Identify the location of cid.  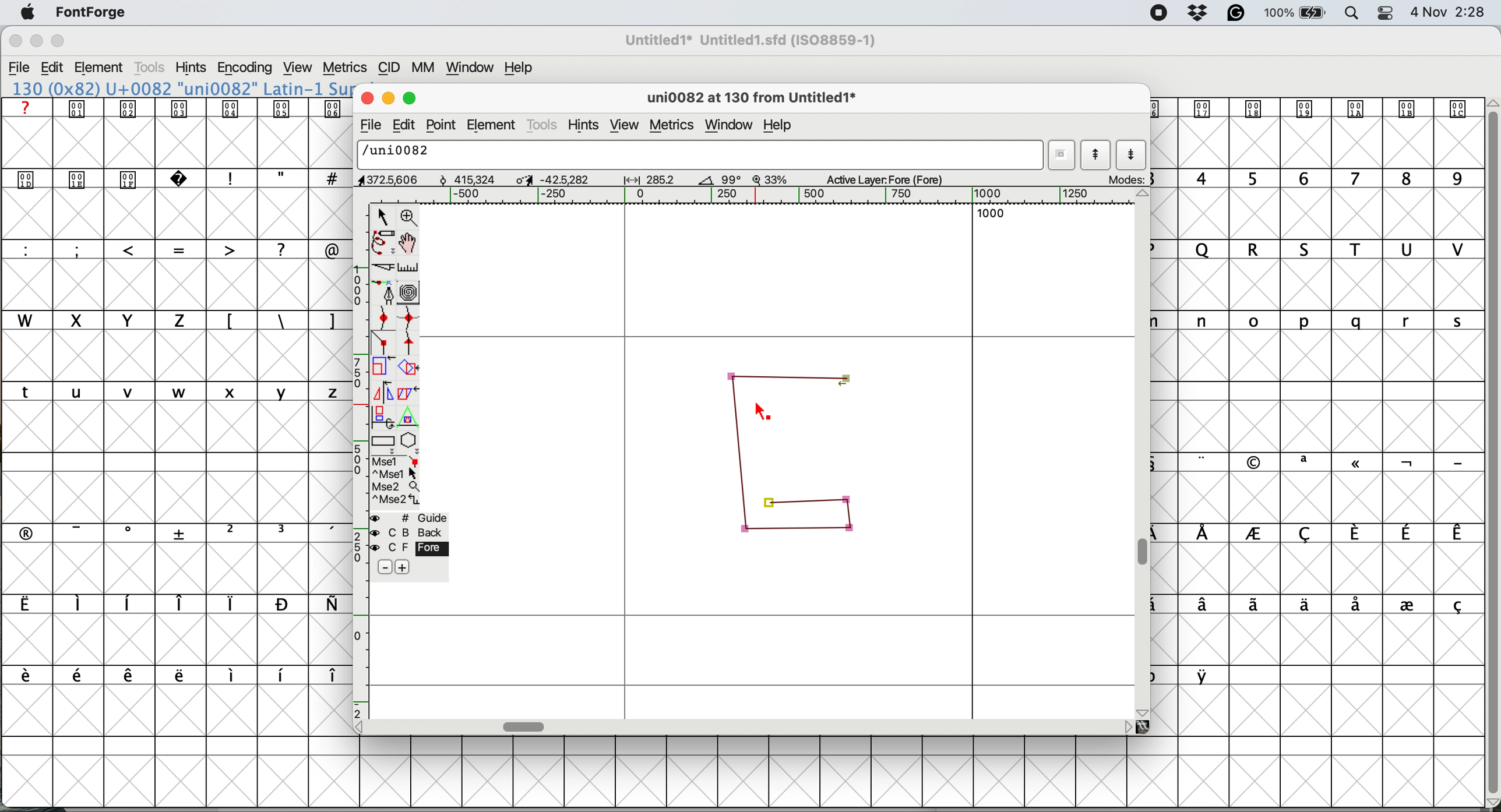
(389, 68).